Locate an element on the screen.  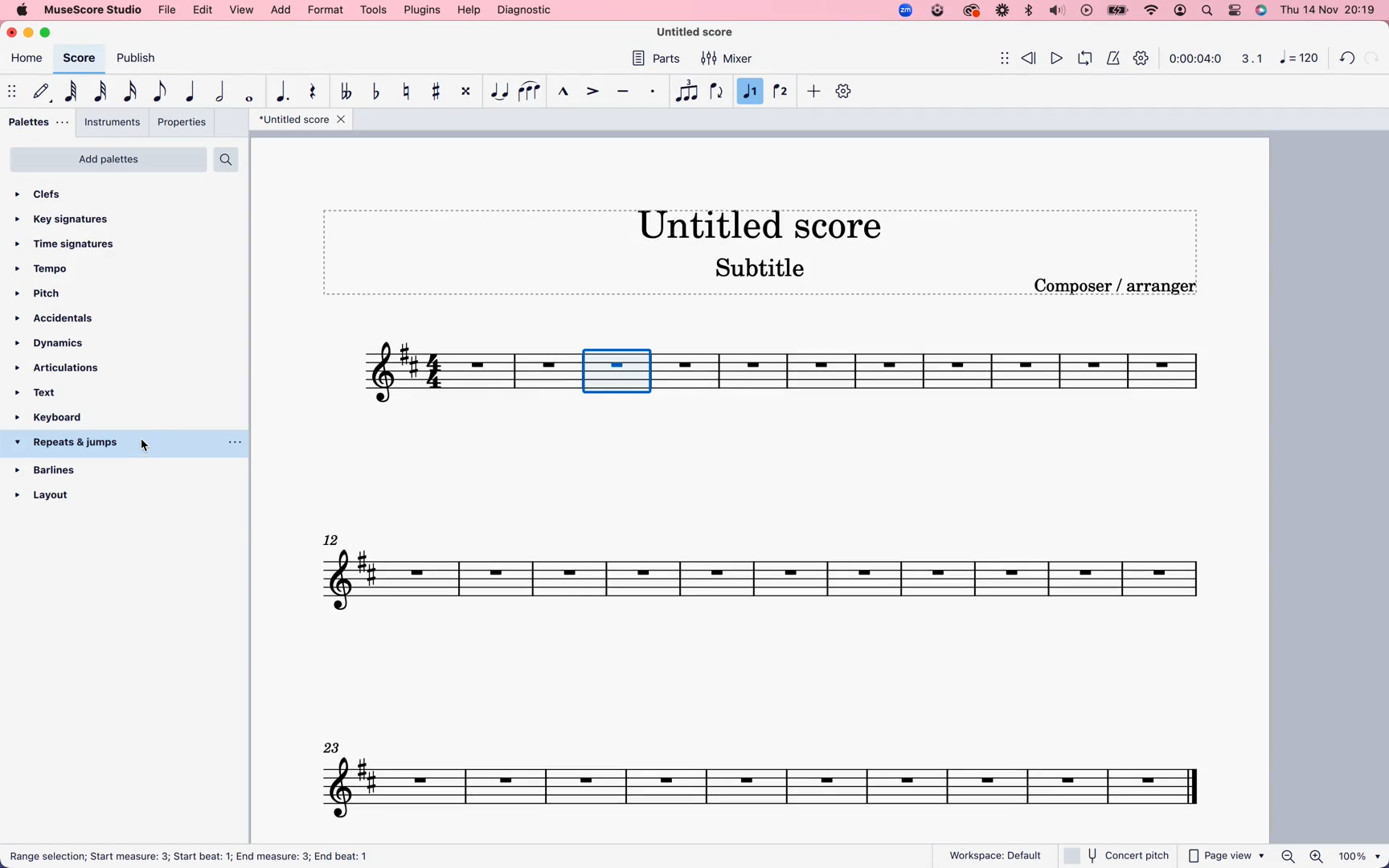
layout is located at coordinates (104, 489).